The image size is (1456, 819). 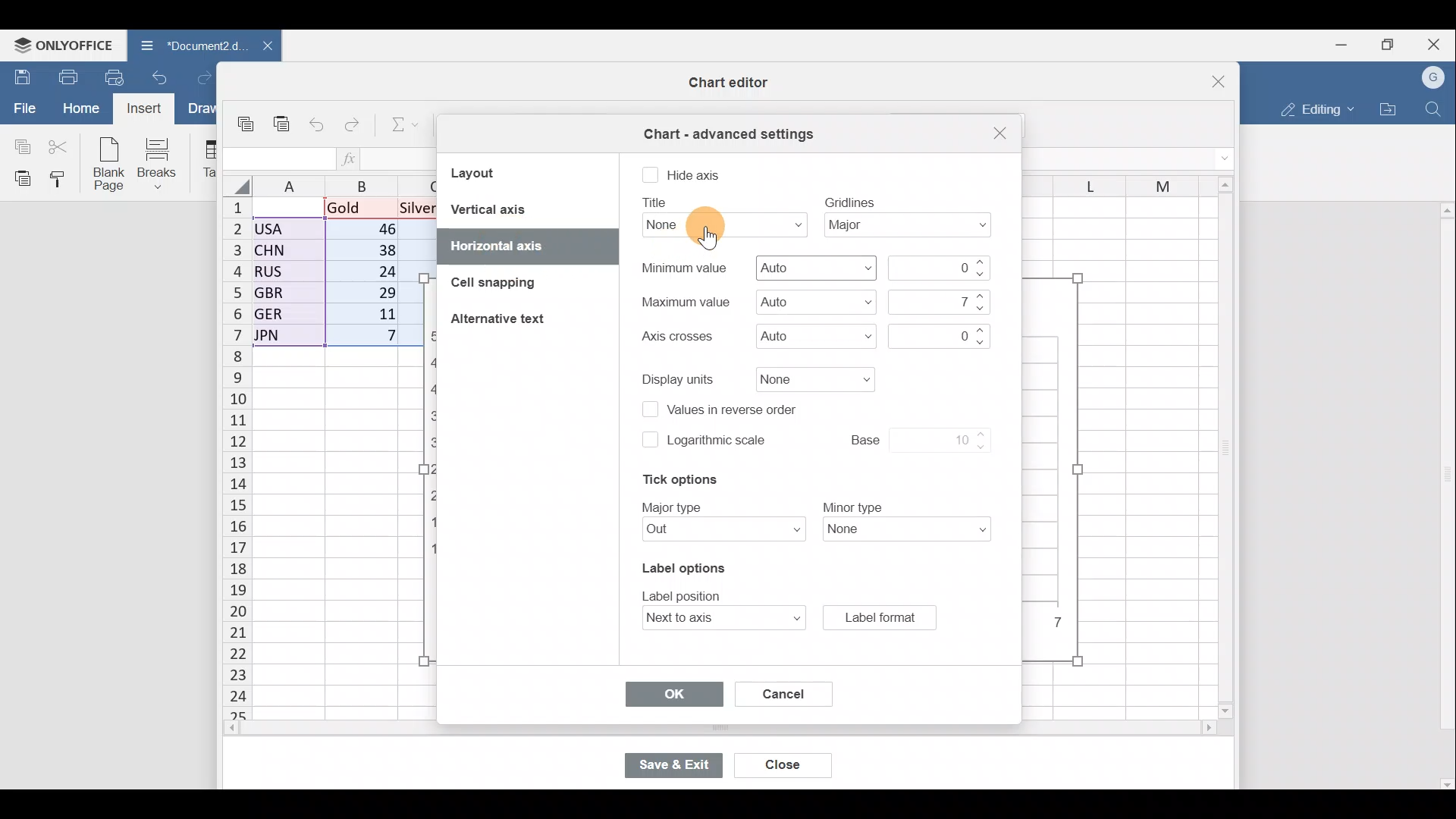 I want to click on Chart advanced settings, so click(x=726, y=129).